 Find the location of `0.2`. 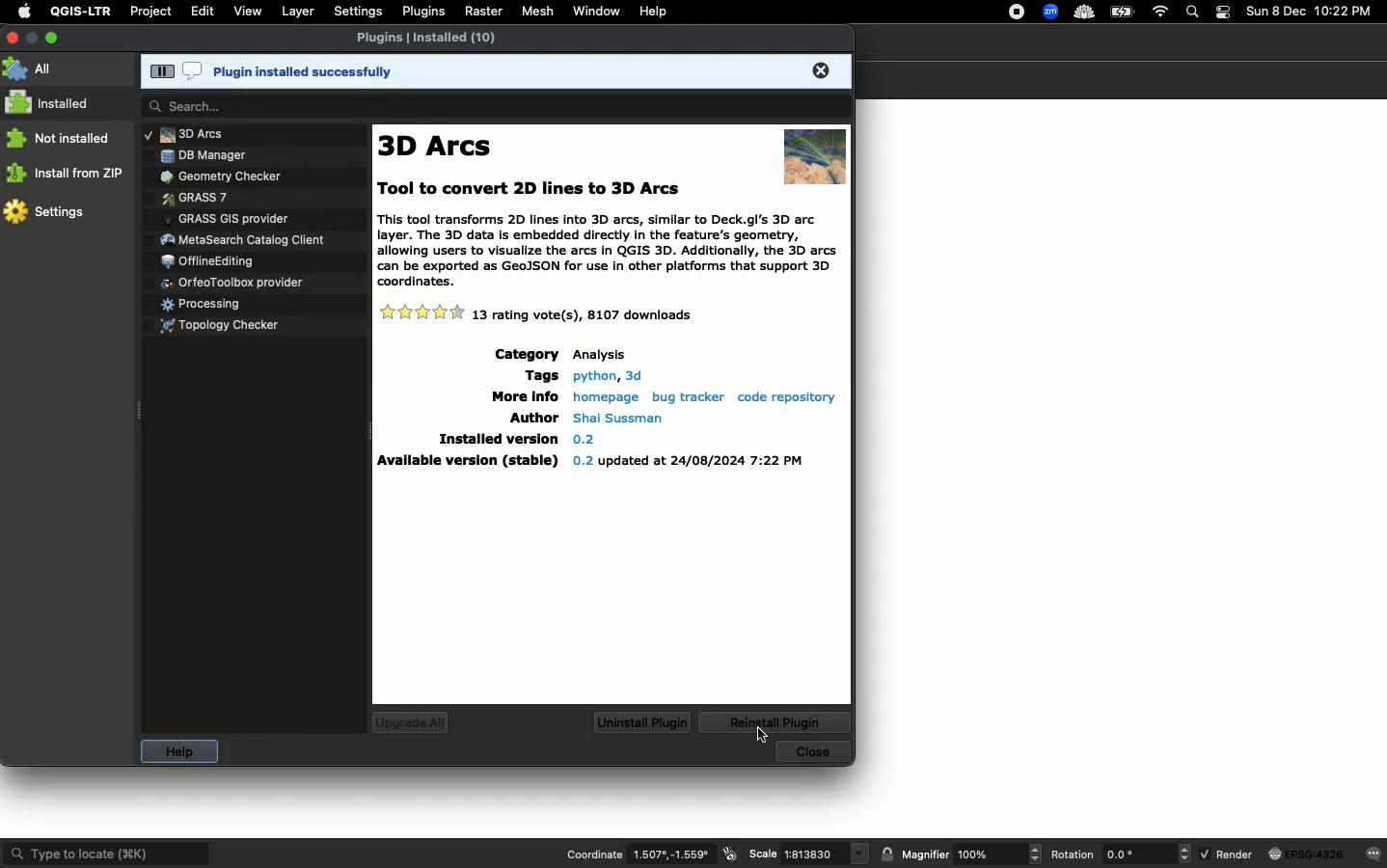

0.2 is located at coordinates (584, 439).